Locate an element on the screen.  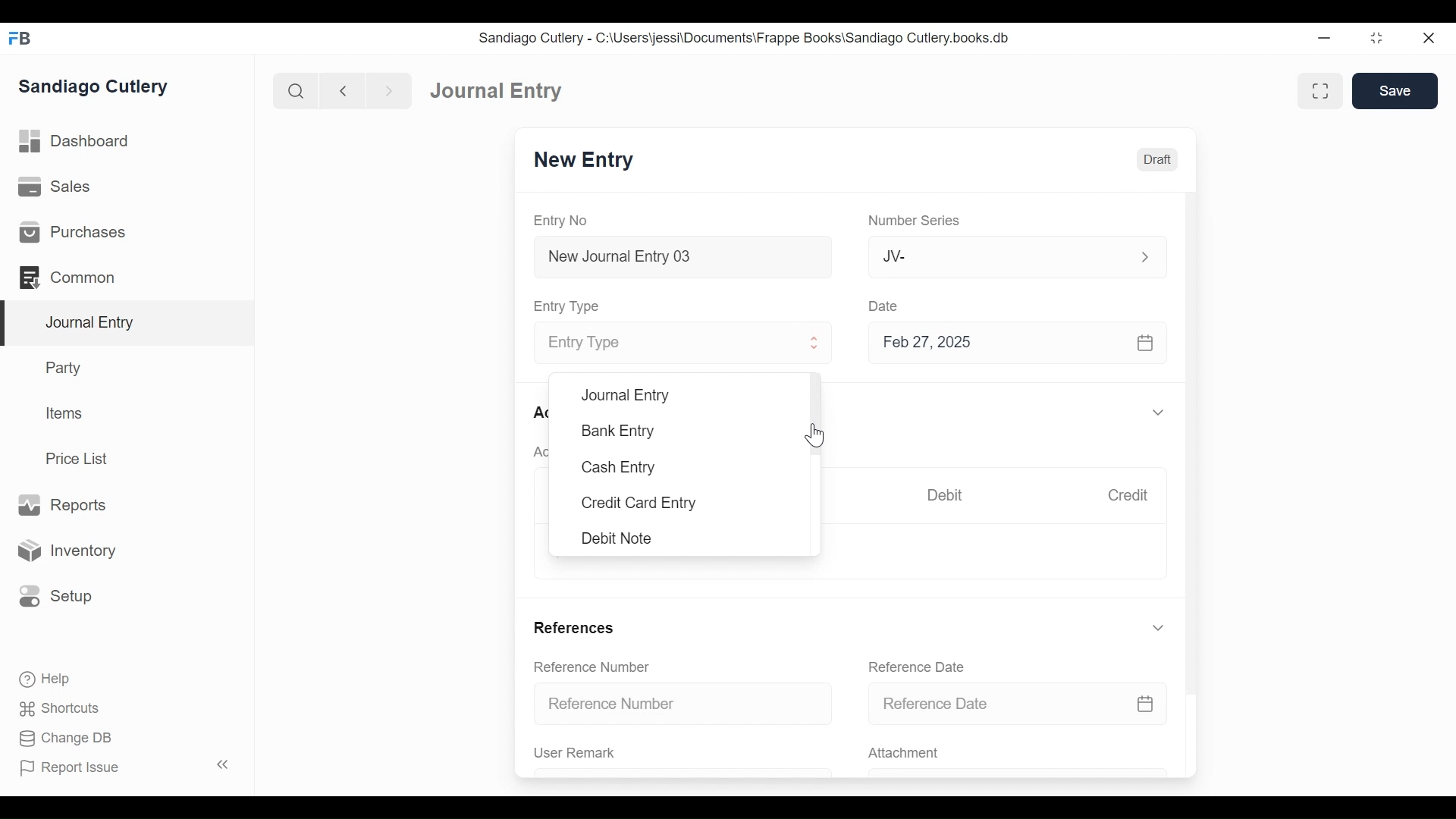
Dashboard is located at coordinates (75, 142).